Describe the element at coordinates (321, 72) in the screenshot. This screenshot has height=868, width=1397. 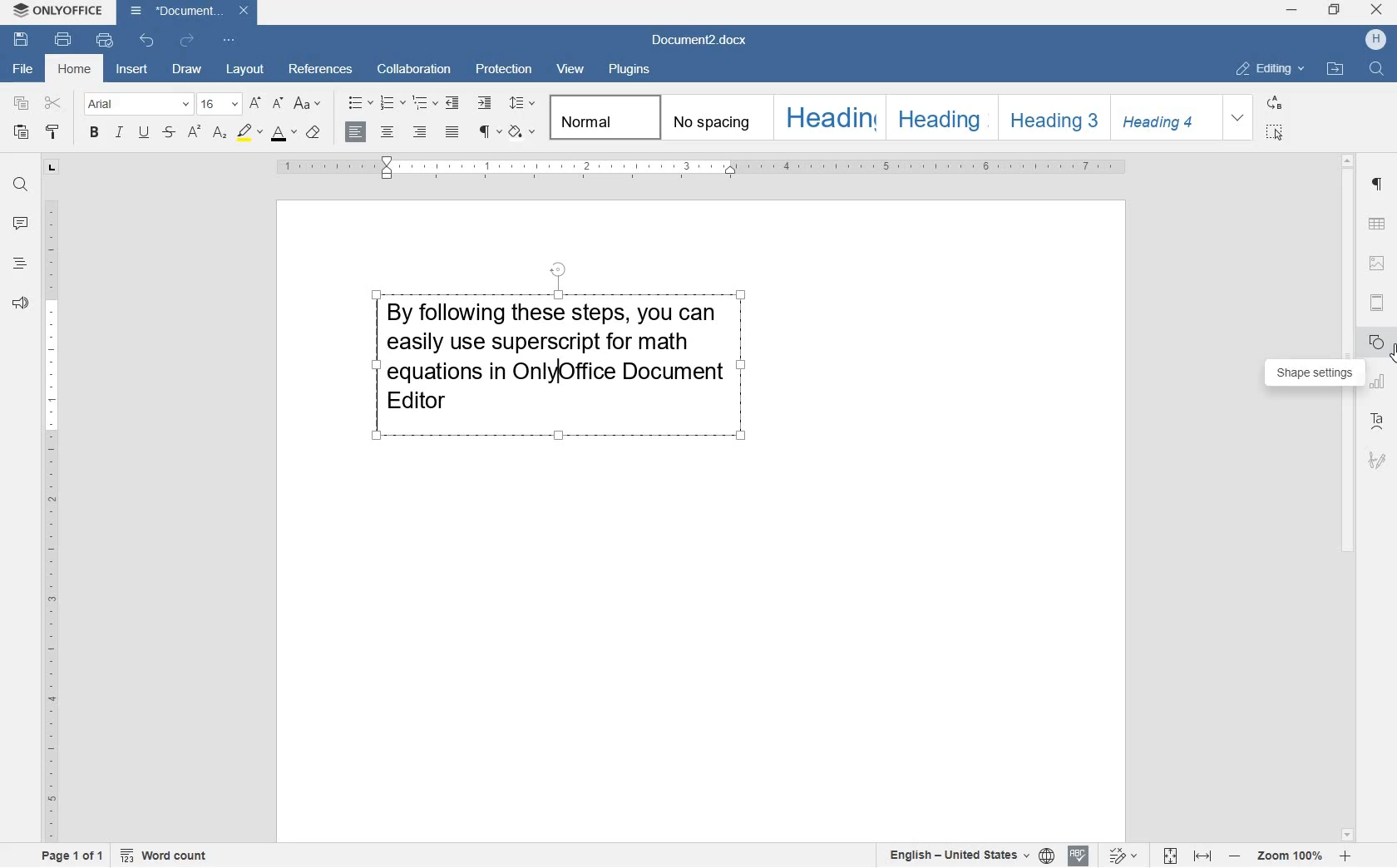
I see `references` at that location.